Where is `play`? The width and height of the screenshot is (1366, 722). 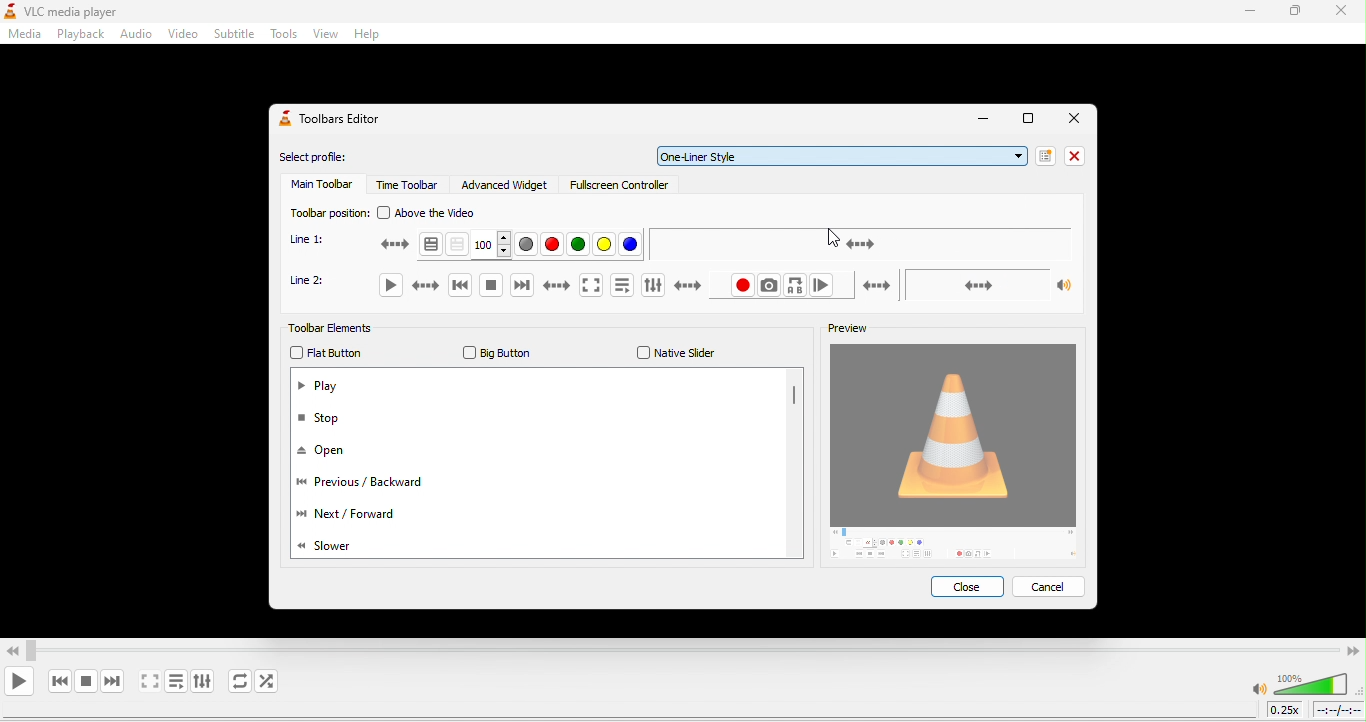
play is located at coordinates (326, 384).